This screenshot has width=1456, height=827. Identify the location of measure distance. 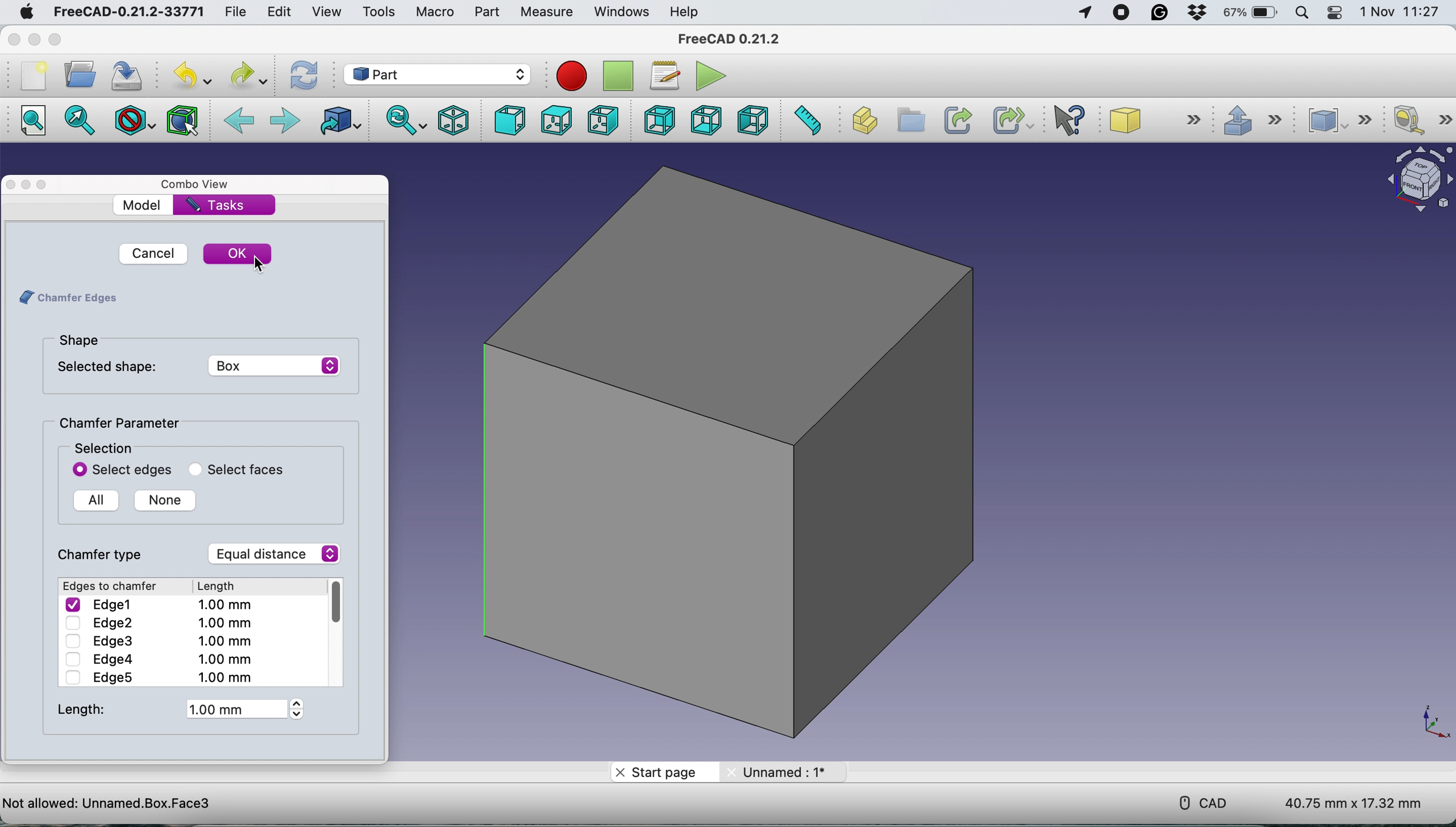
(808, 120).